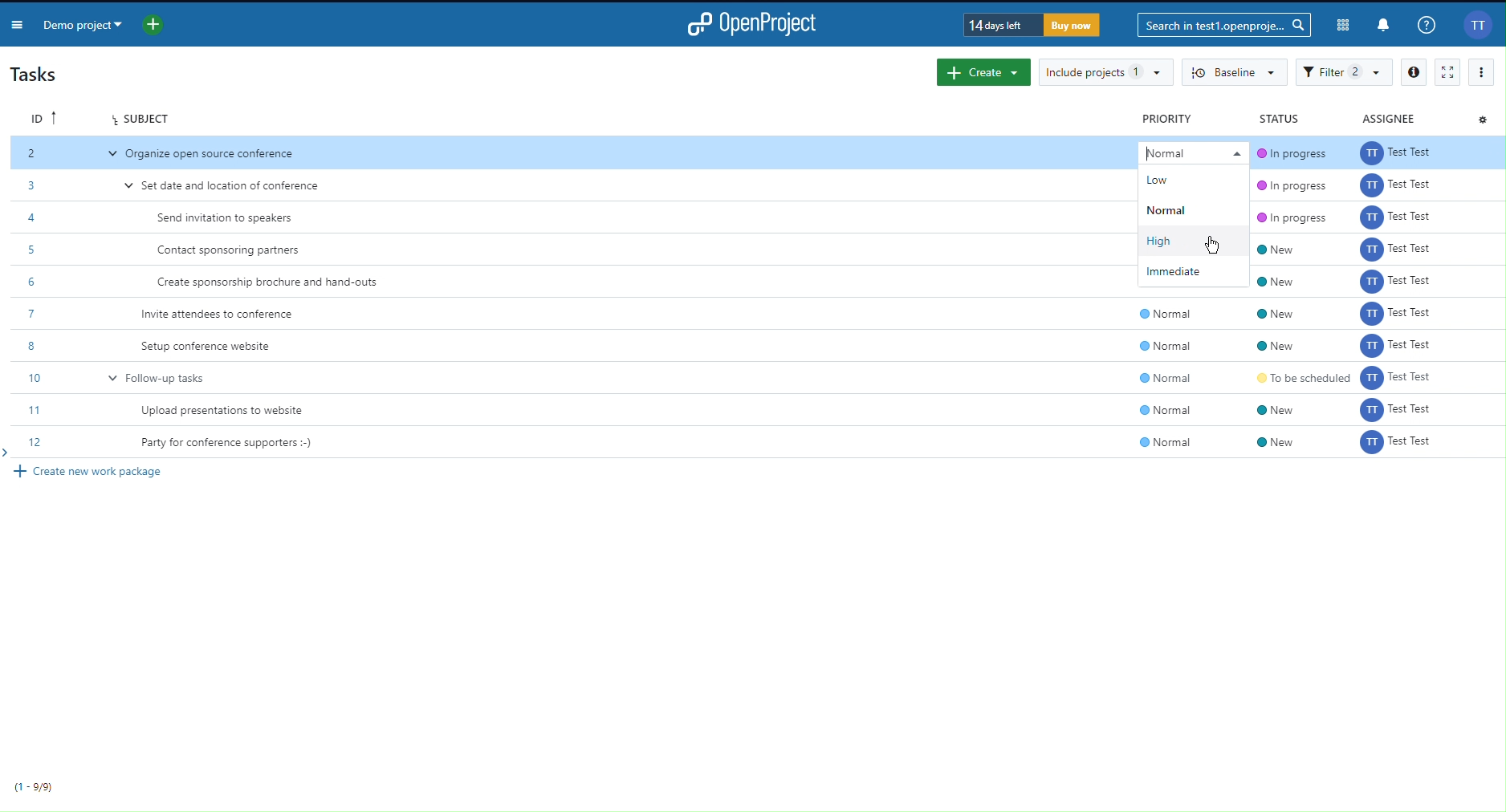 The width and height of the screenshot is (1506, 812). I want to click on Normal, so click(1172, 210).